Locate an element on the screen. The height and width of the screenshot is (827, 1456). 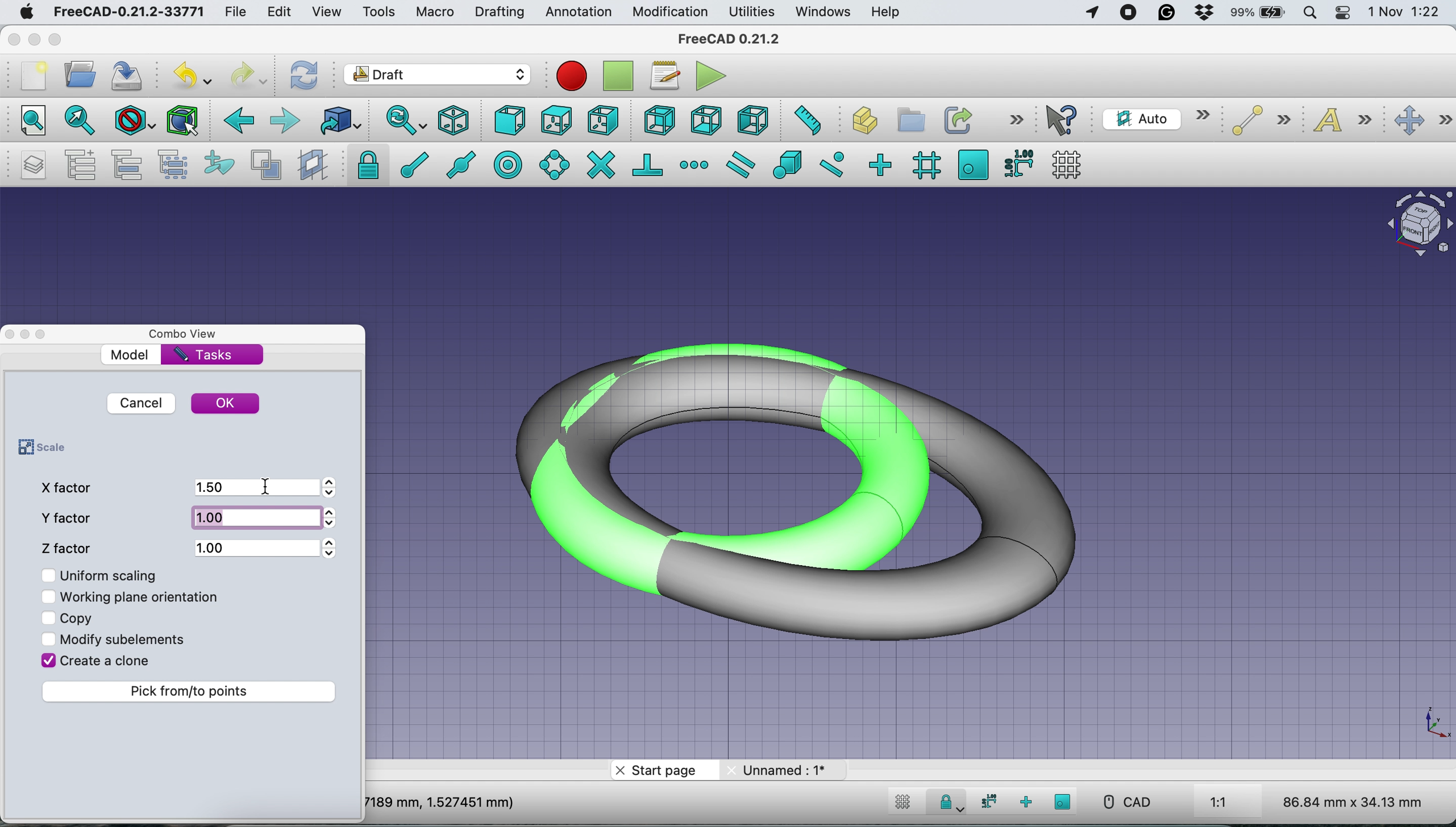
snap midpoint is located at coordinates (464, 164).